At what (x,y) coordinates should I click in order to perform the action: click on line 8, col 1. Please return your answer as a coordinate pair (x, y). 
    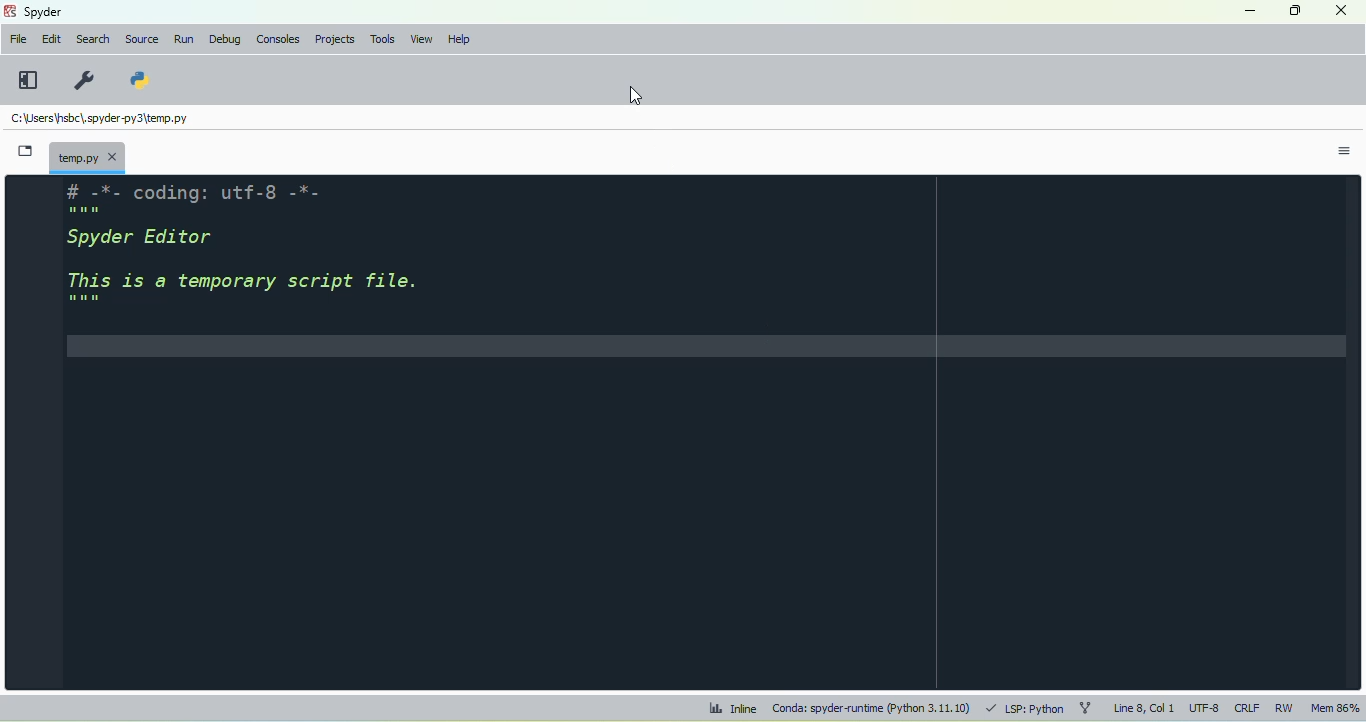
    Looking at the image, I should click on (1144, 707).